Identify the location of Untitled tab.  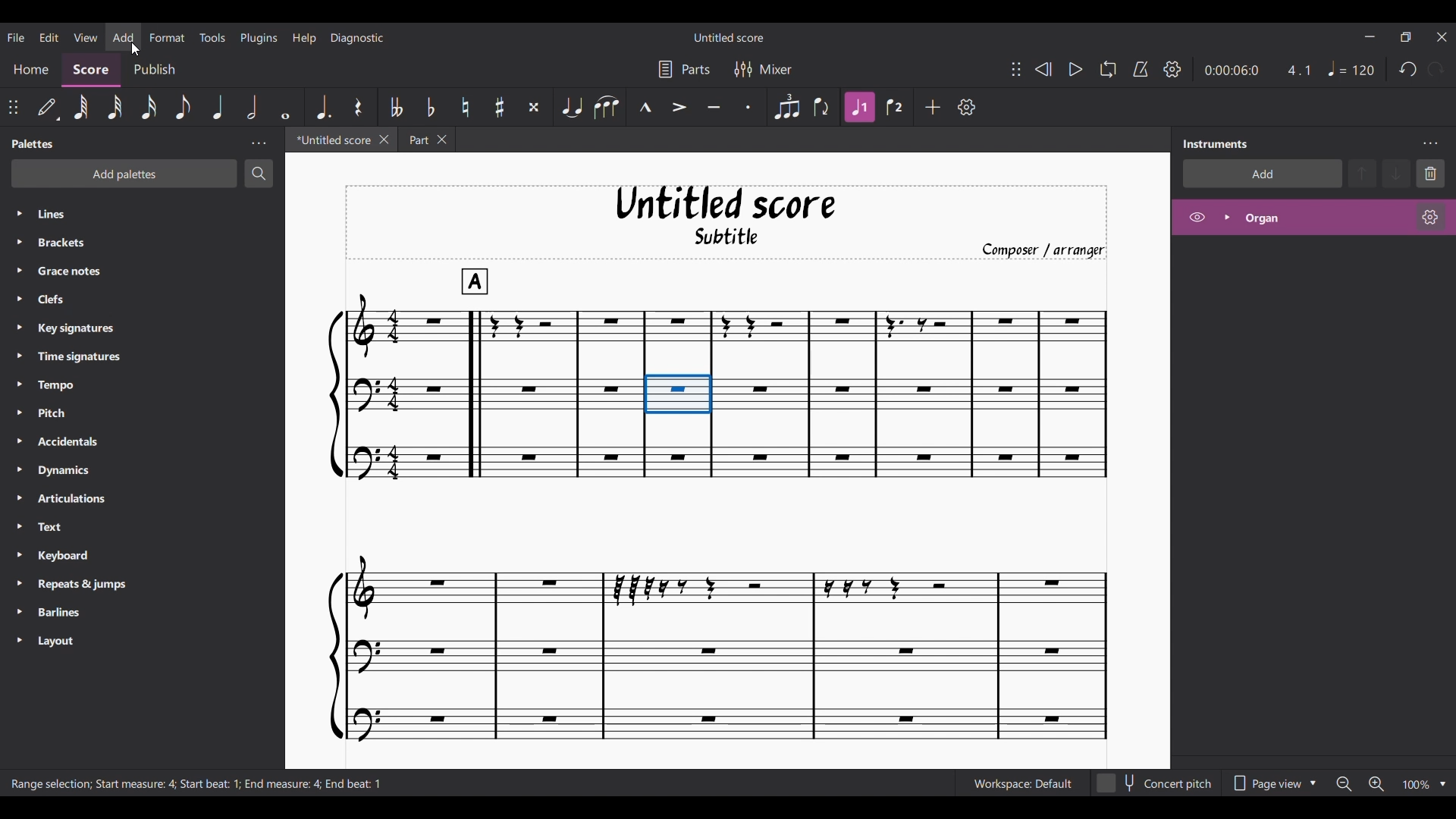
(331, 140).